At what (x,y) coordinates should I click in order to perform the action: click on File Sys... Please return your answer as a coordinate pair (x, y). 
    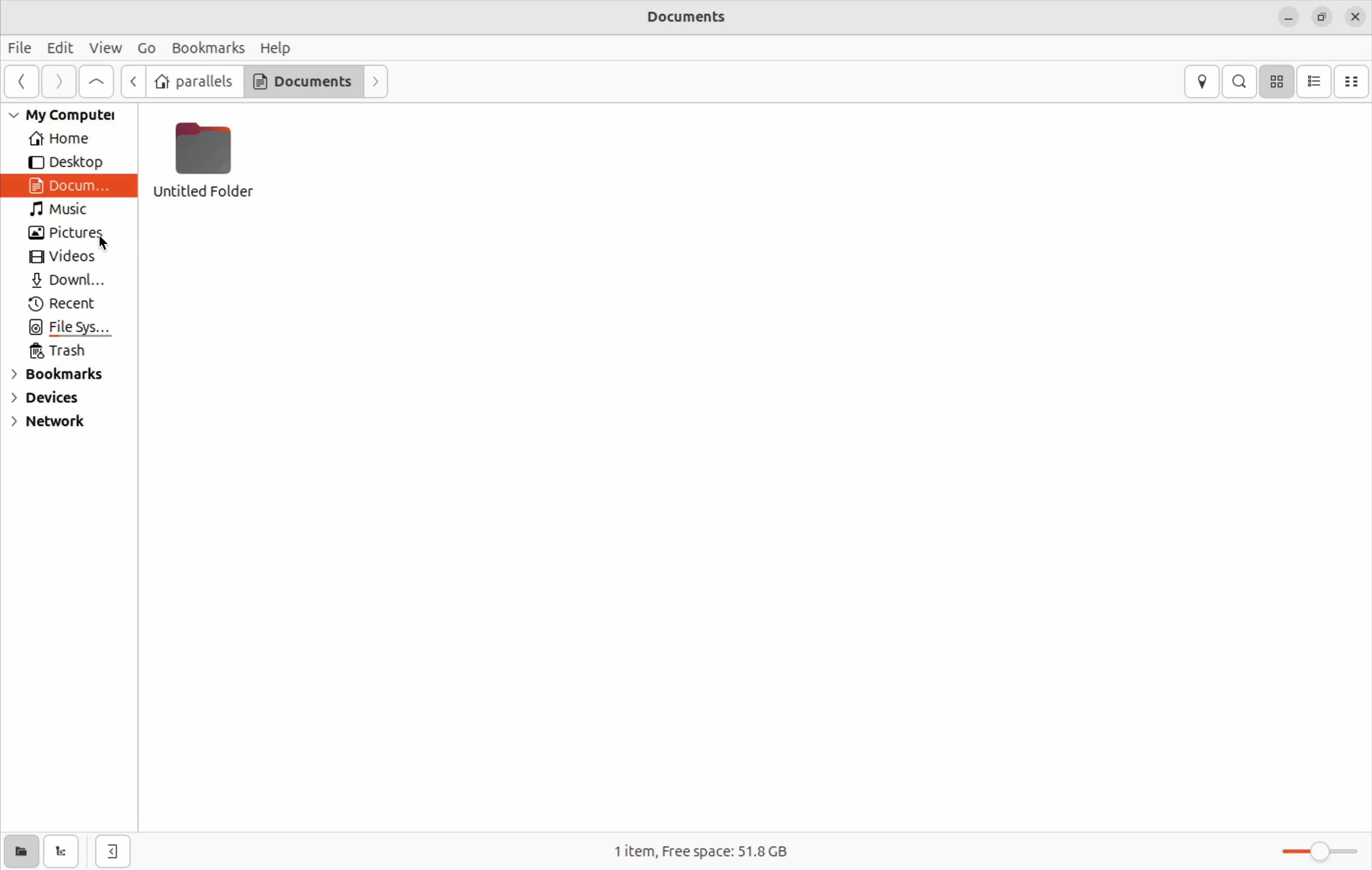
    Looking at the image, I should click on (69, 329).